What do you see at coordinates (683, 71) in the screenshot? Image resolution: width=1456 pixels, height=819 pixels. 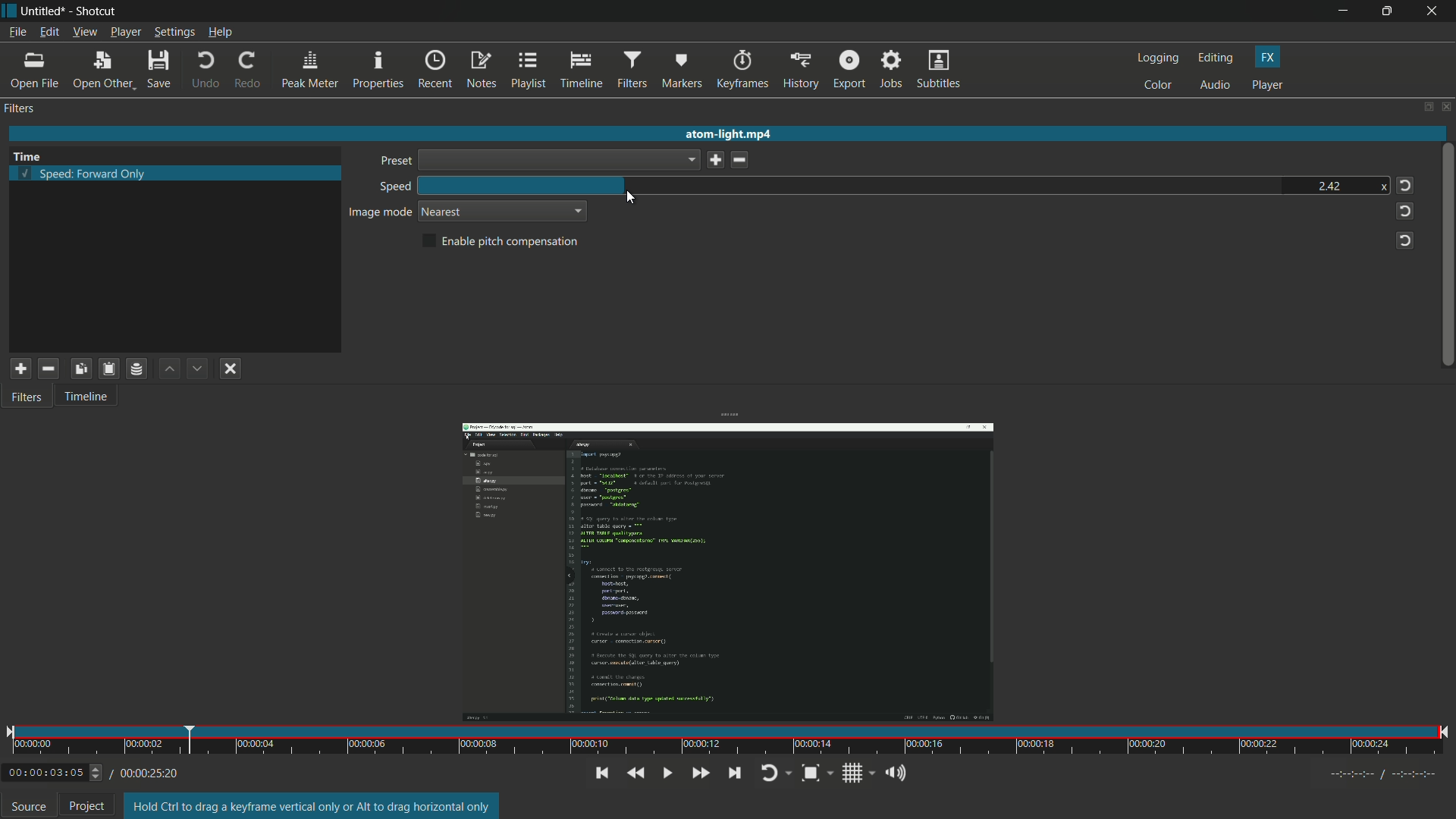 I see `markers` at bounding box center [683, 71].